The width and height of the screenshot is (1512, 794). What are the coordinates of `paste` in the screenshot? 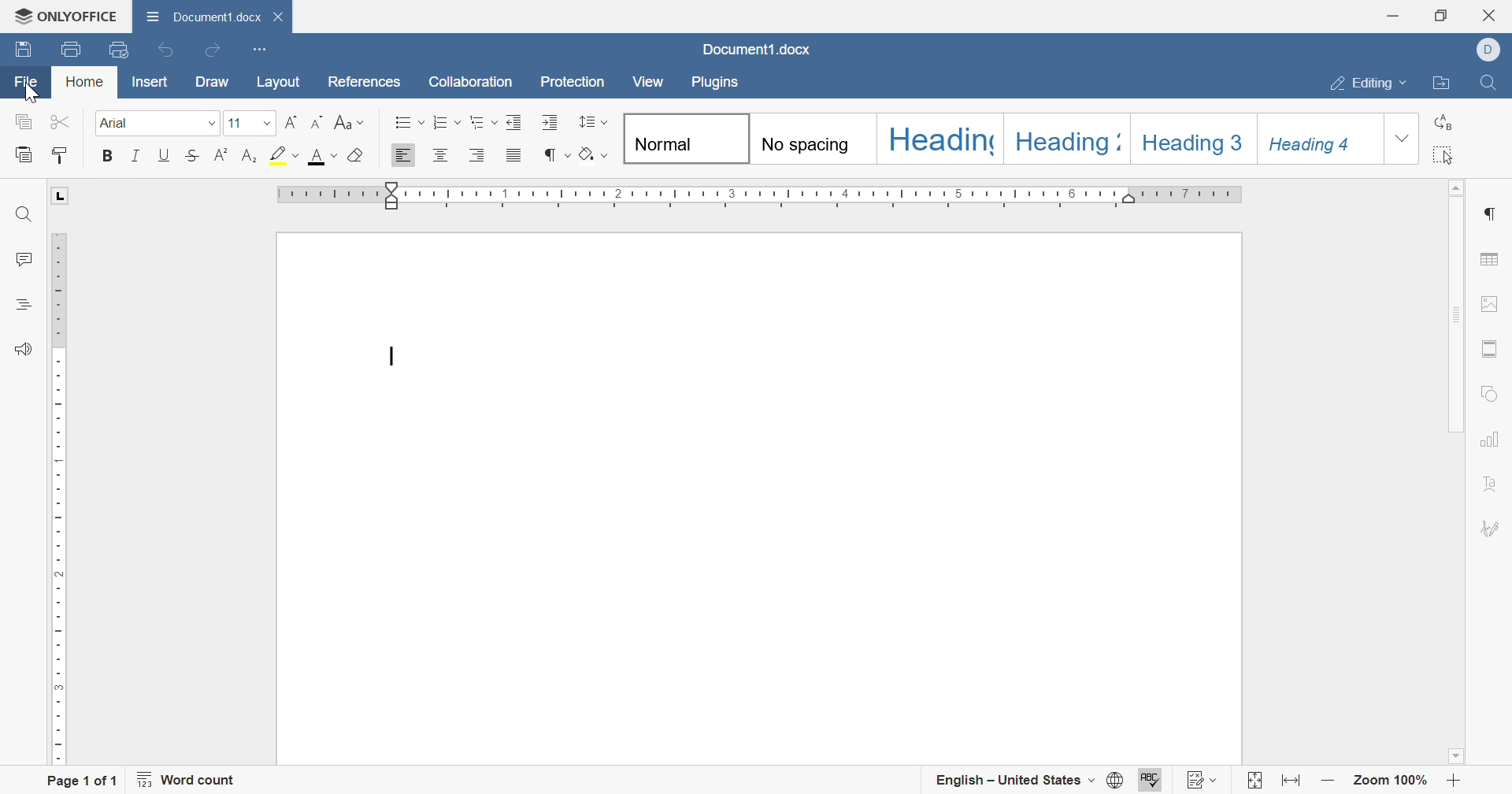 It's located at (26, 155).